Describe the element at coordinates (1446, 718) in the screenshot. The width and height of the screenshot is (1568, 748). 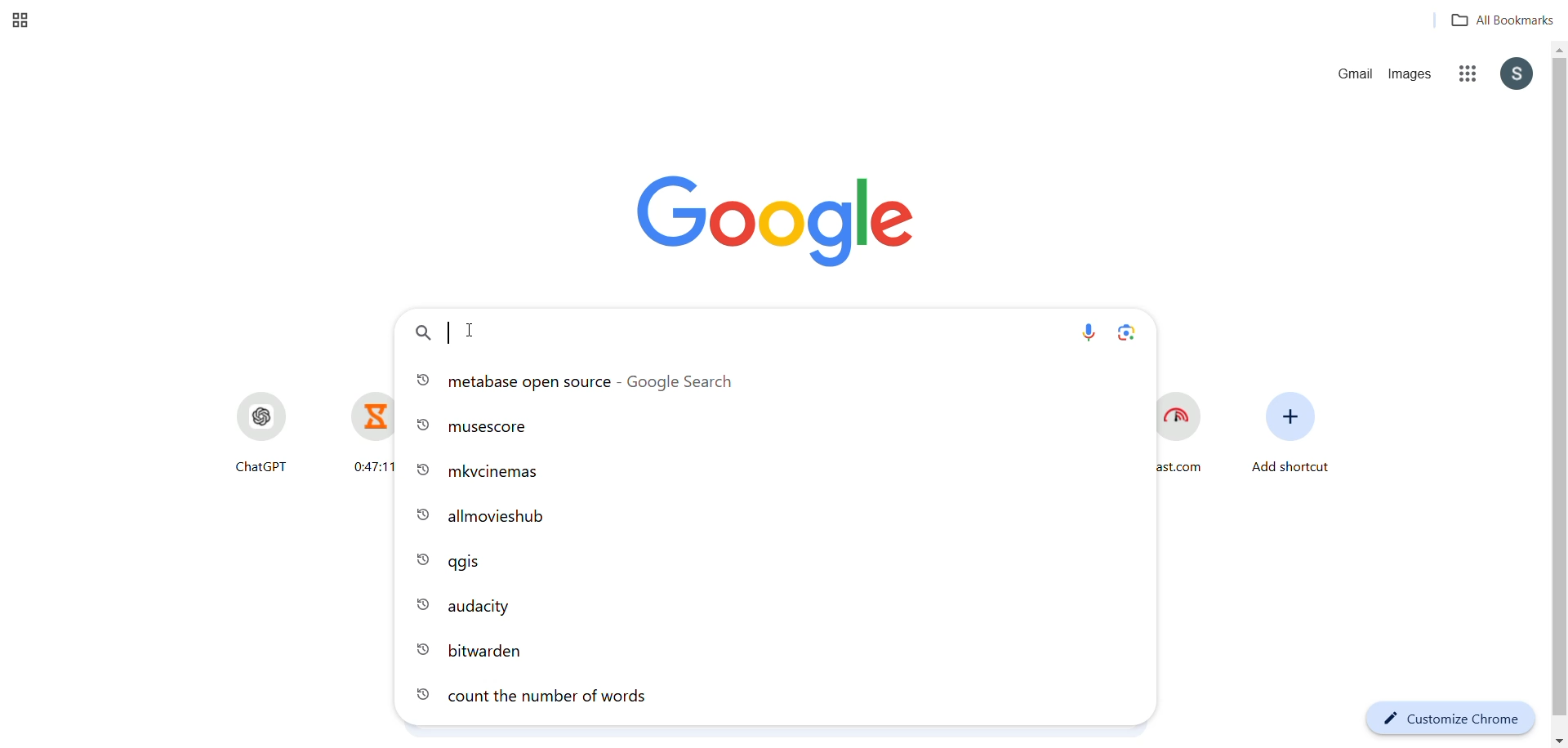
I see `customize chrome` at that location.